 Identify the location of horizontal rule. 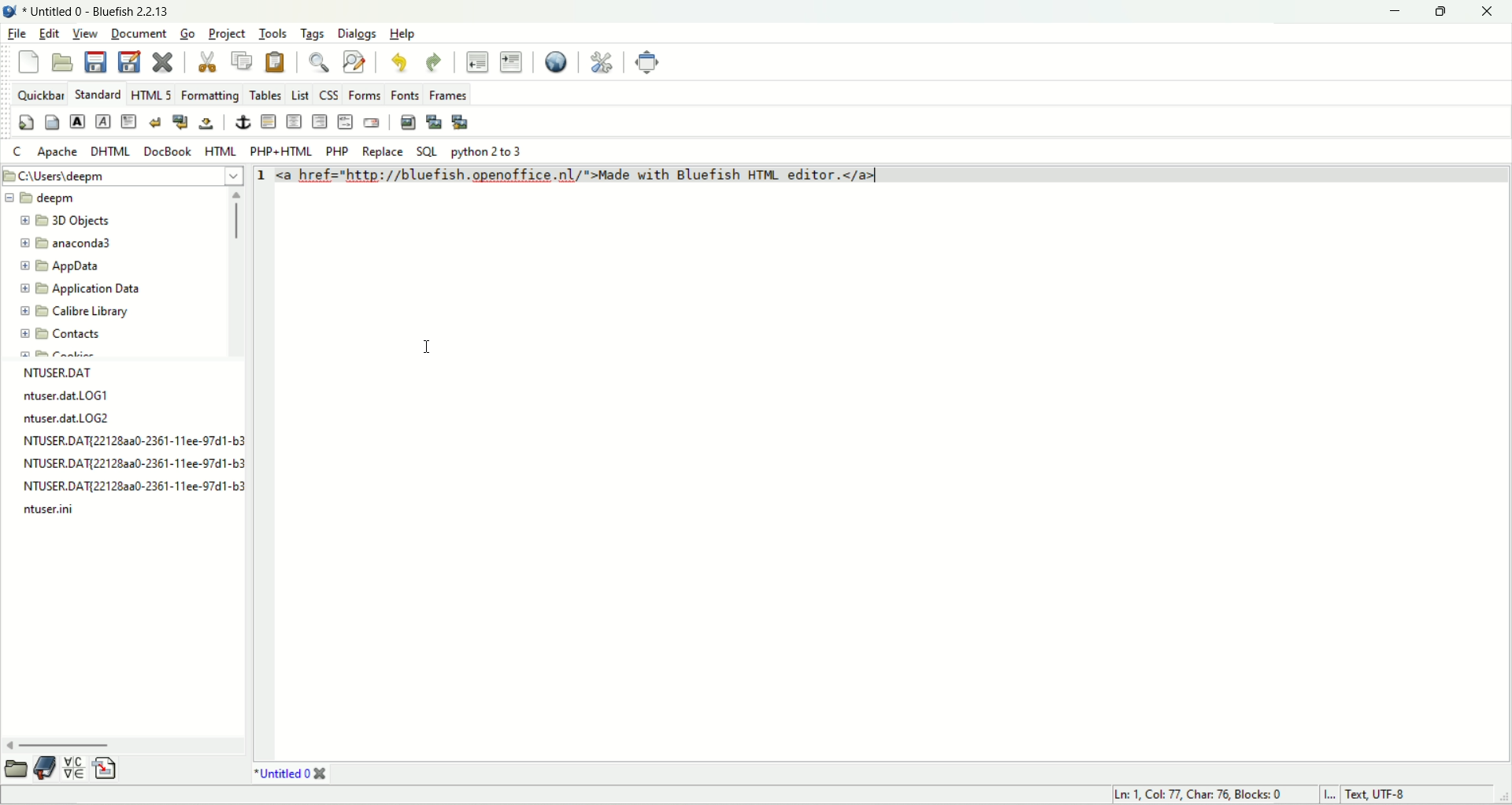
(267, 122).